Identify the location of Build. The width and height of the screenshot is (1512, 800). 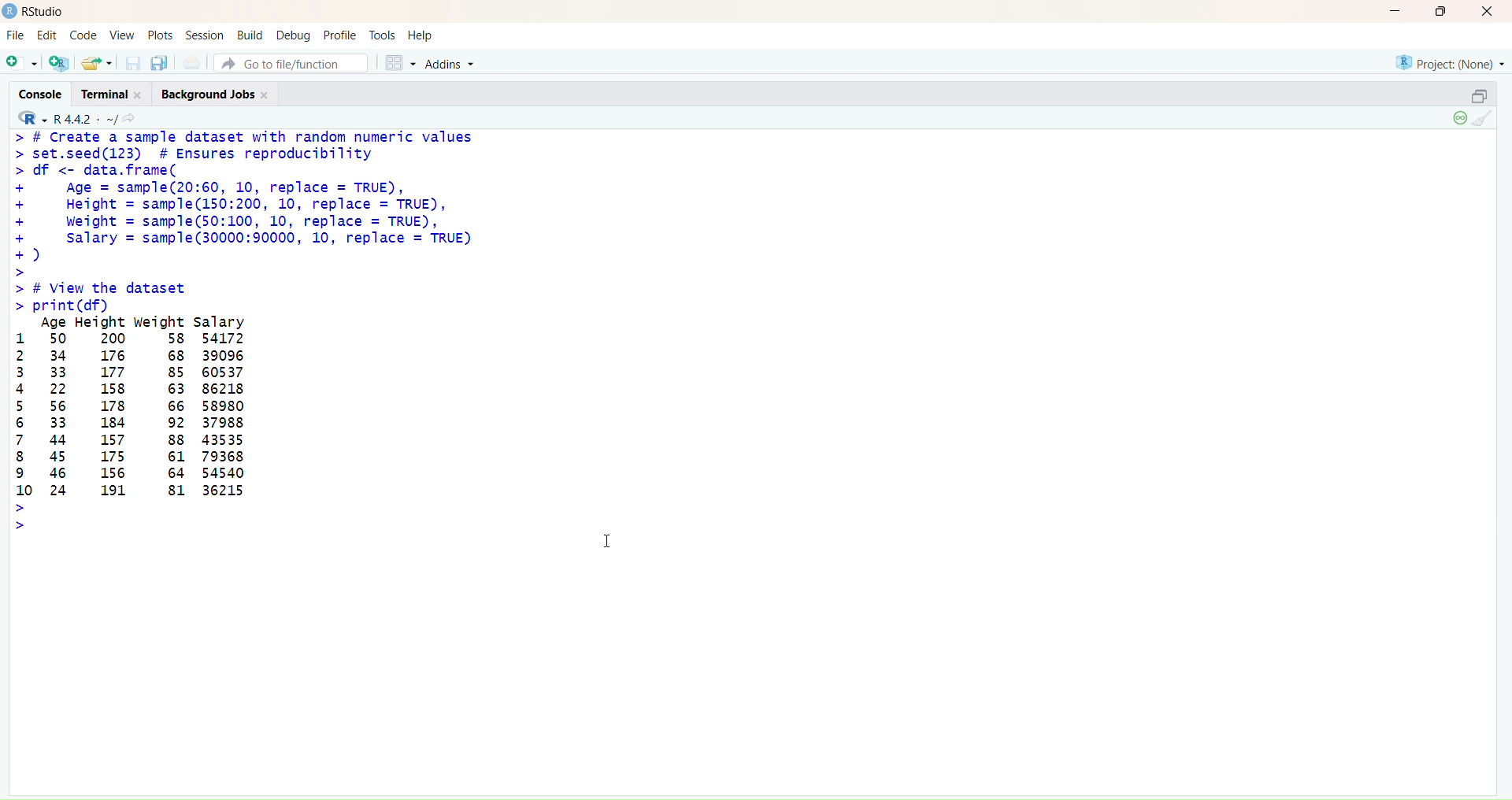
(250, 34).